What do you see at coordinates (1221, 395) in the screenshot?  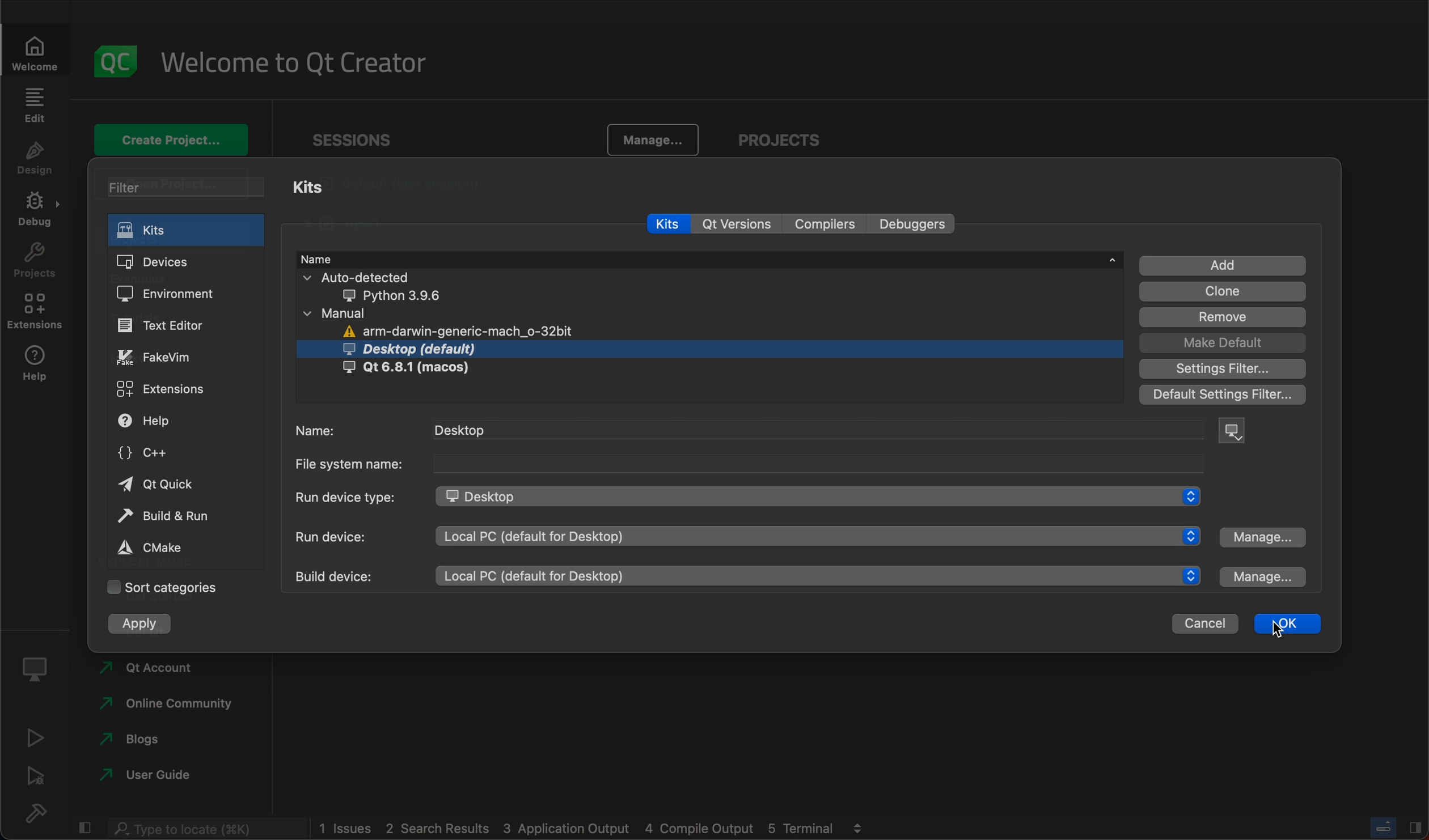 I see `default filter` at bounding box center [1221, 395].